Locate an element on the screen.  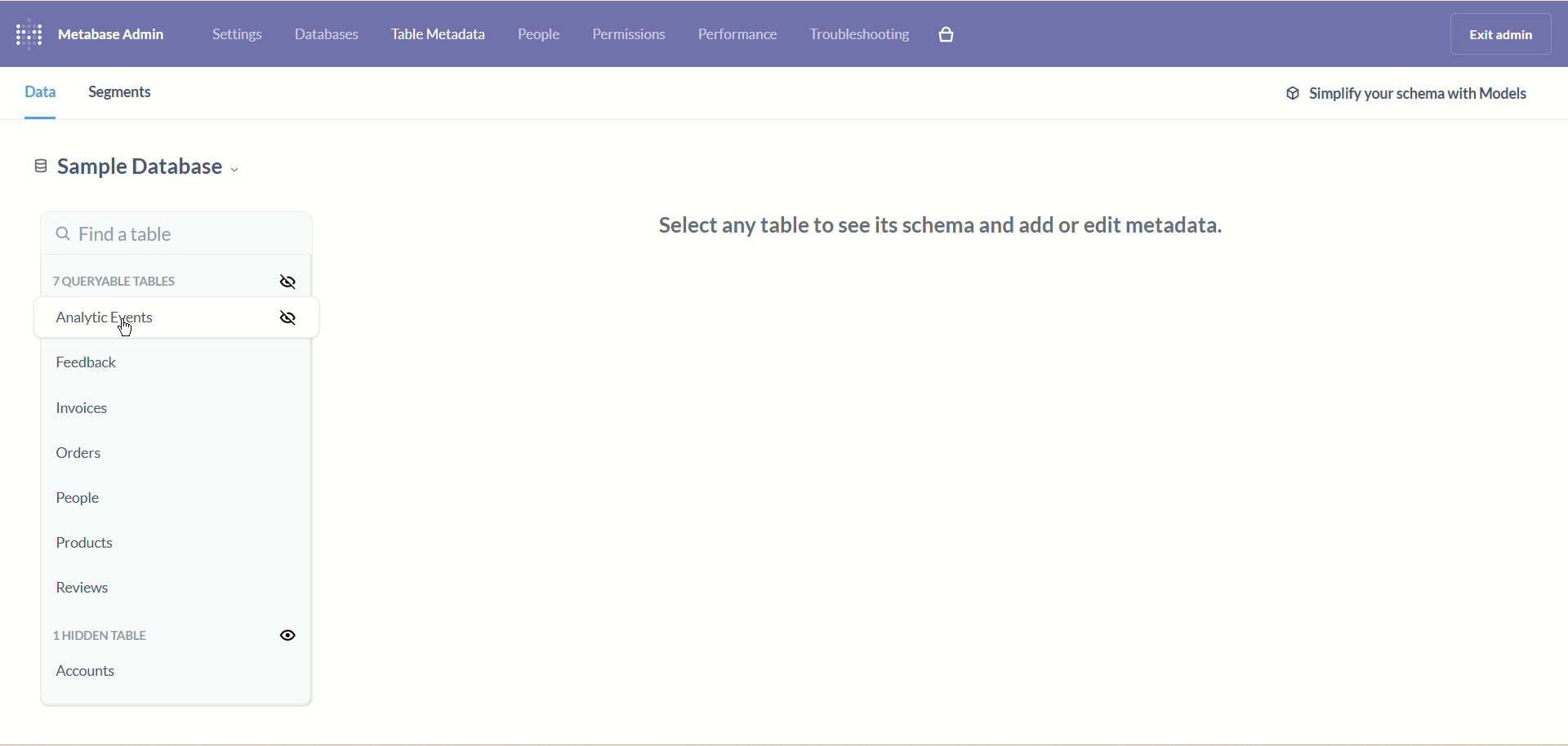
Simplify schema with models is located at coordinates (1402, 97).